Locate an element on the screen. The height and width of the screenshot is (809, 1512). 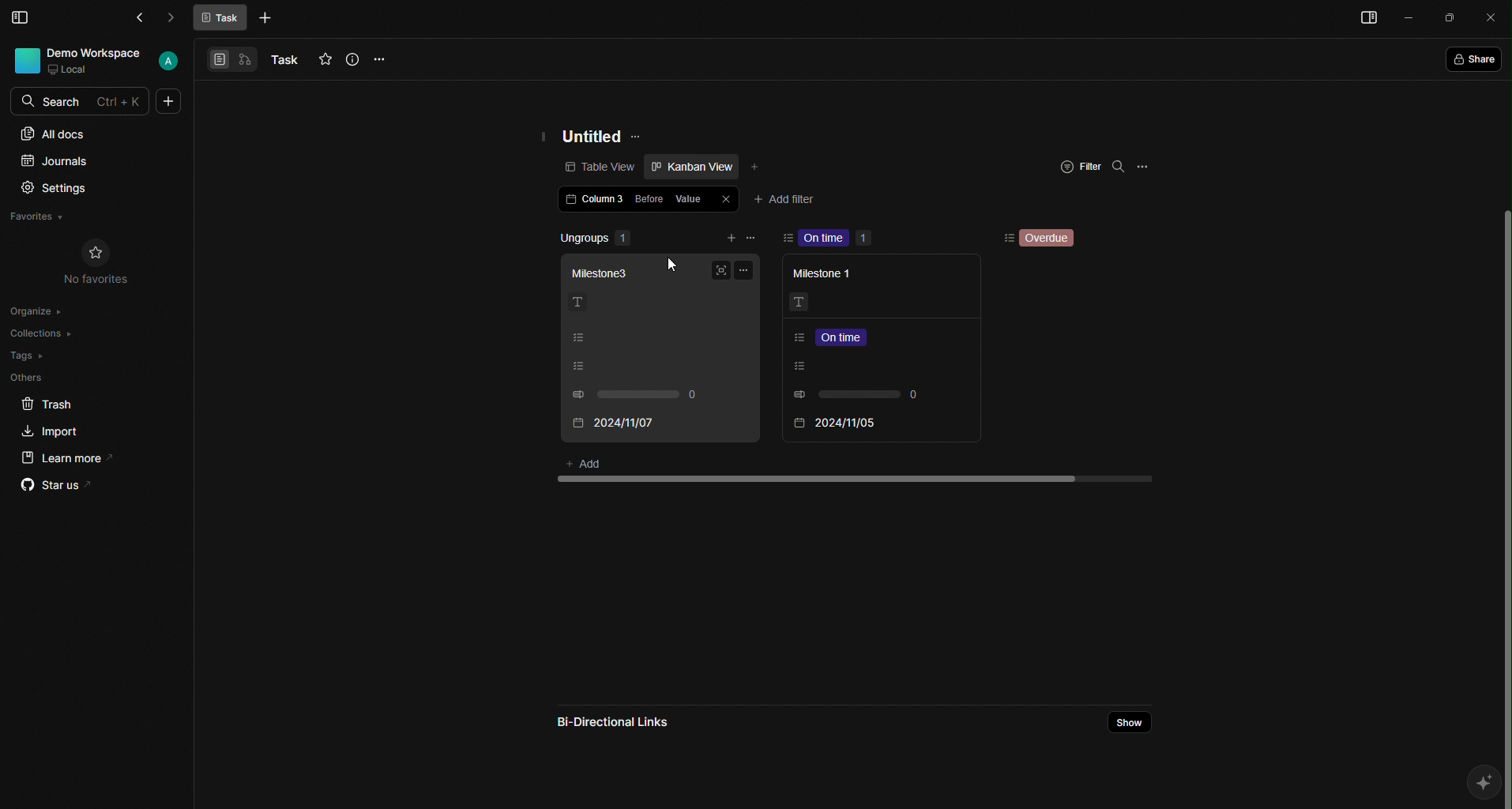
Cursor is located at coordinates (671, 268).